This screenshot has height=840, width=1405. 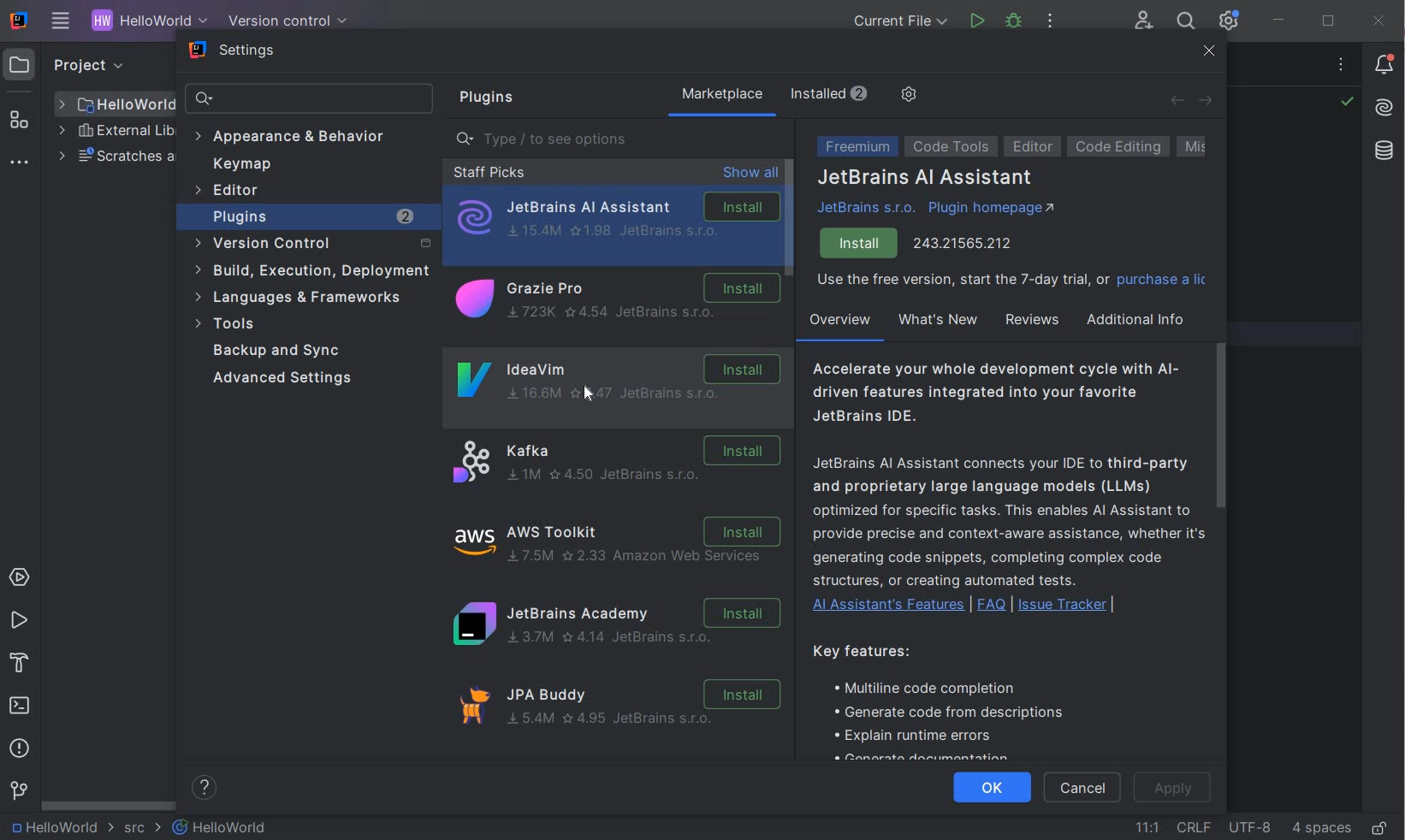 I want to click on PROJECT NAME, so click(x=145, y=22).